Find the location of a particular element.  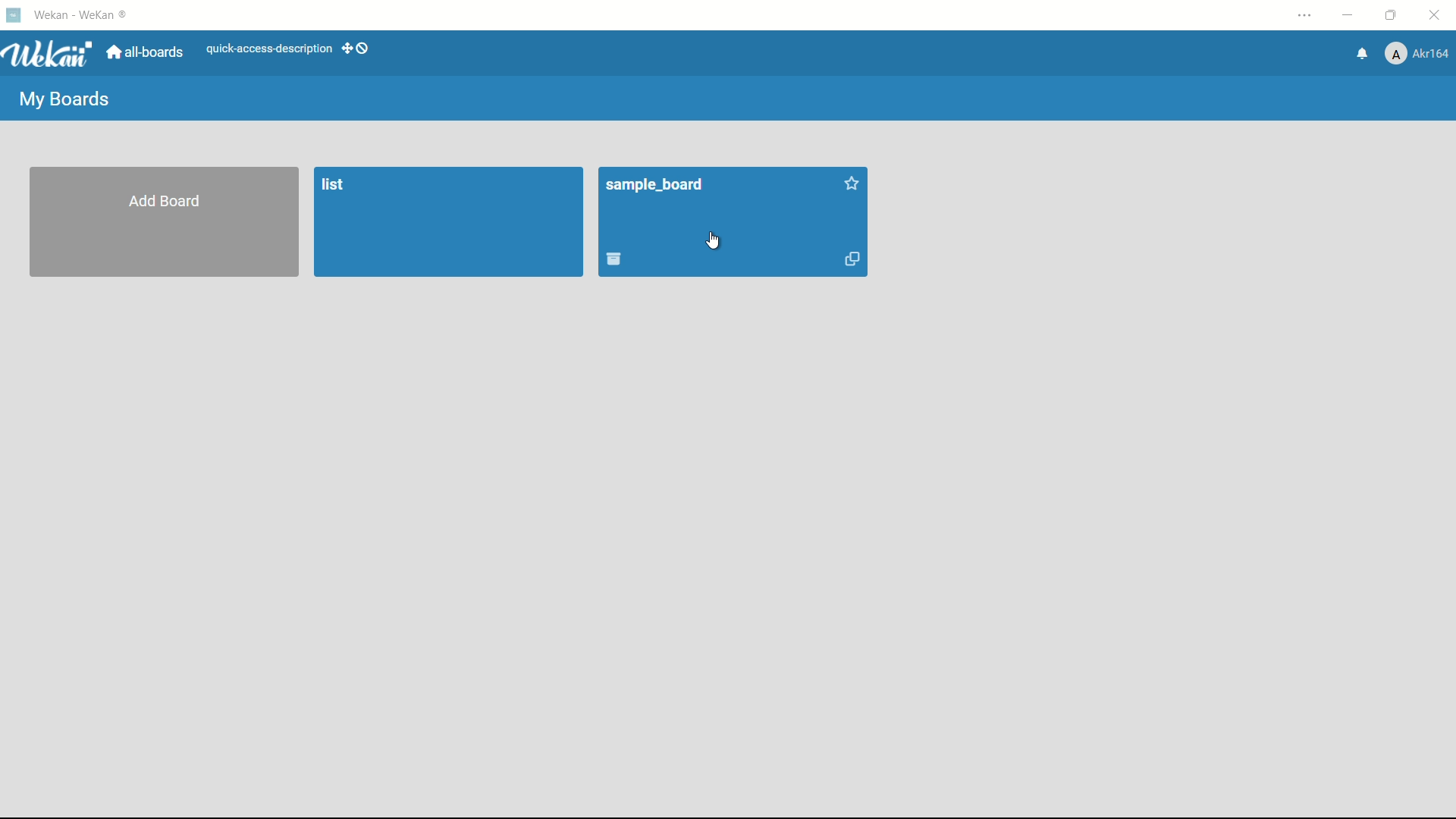

wekan is located at coordinates (80, 16).